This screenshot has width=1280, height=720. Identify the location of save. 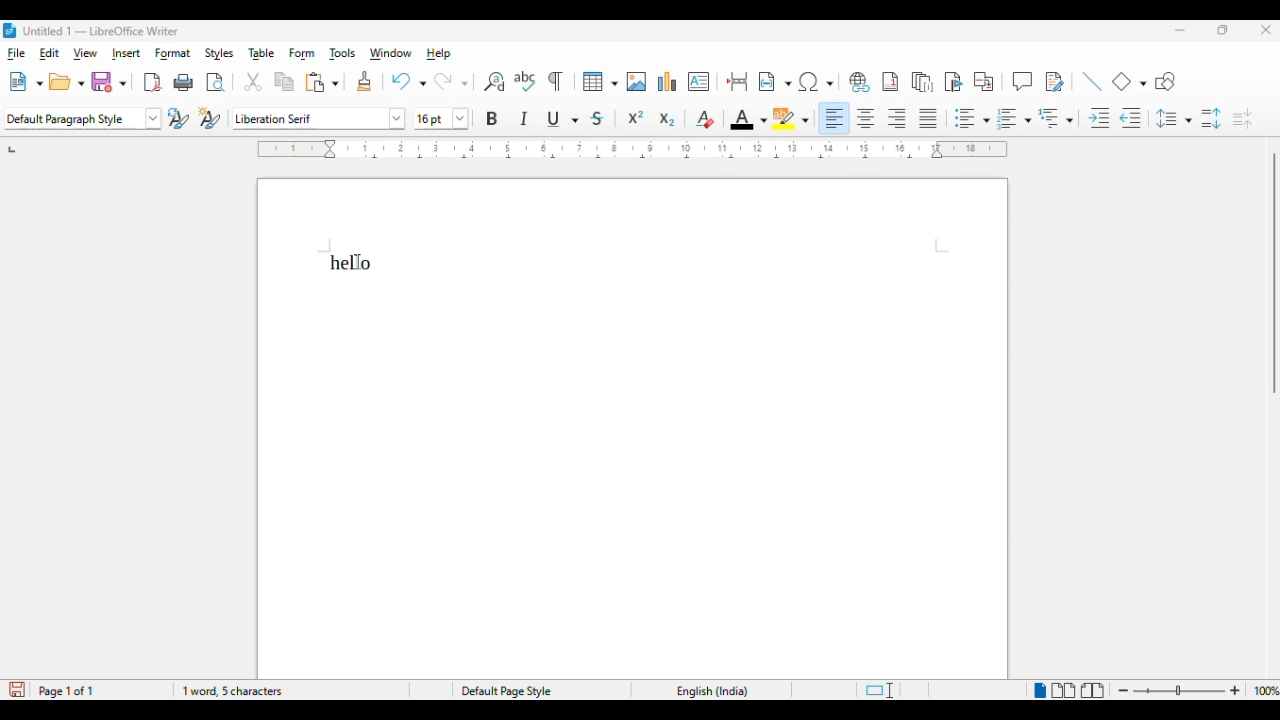
(109, 82).